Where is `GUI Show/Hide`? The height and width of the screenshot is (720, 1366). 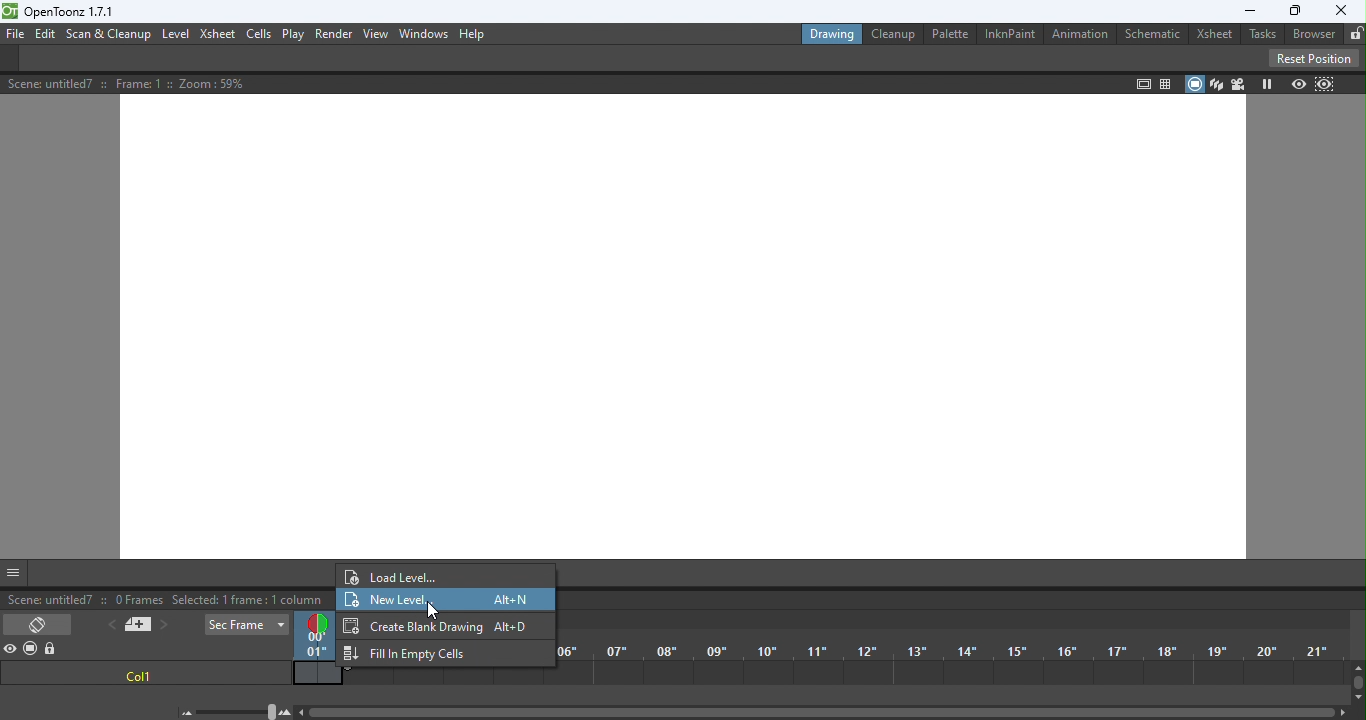
GUI Show/Hide is located at coordinates (14, 573).